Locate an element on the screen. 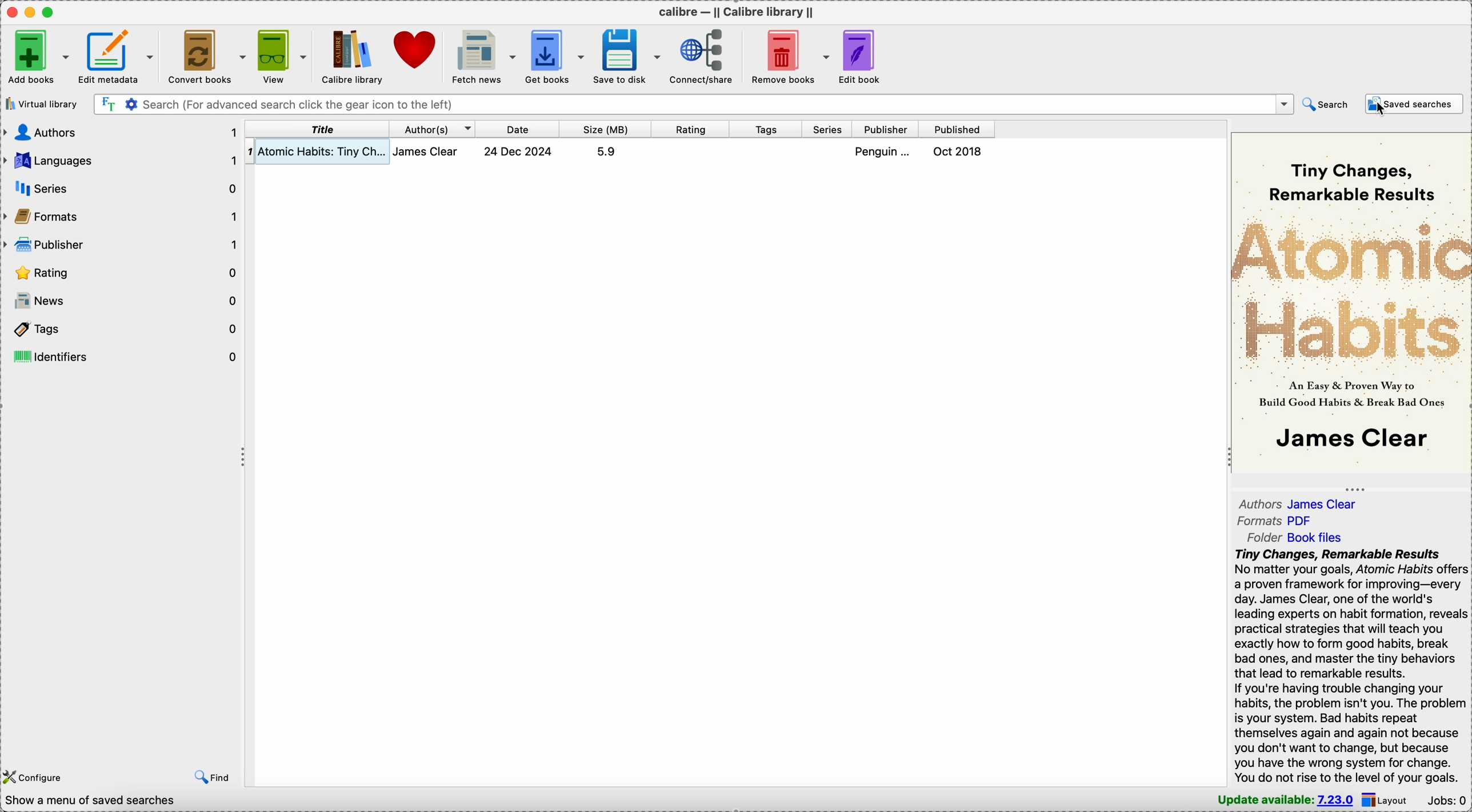 Image resolution: width=1472 pixels, height=812 pixels. search is located at coordinates (1325, 103).